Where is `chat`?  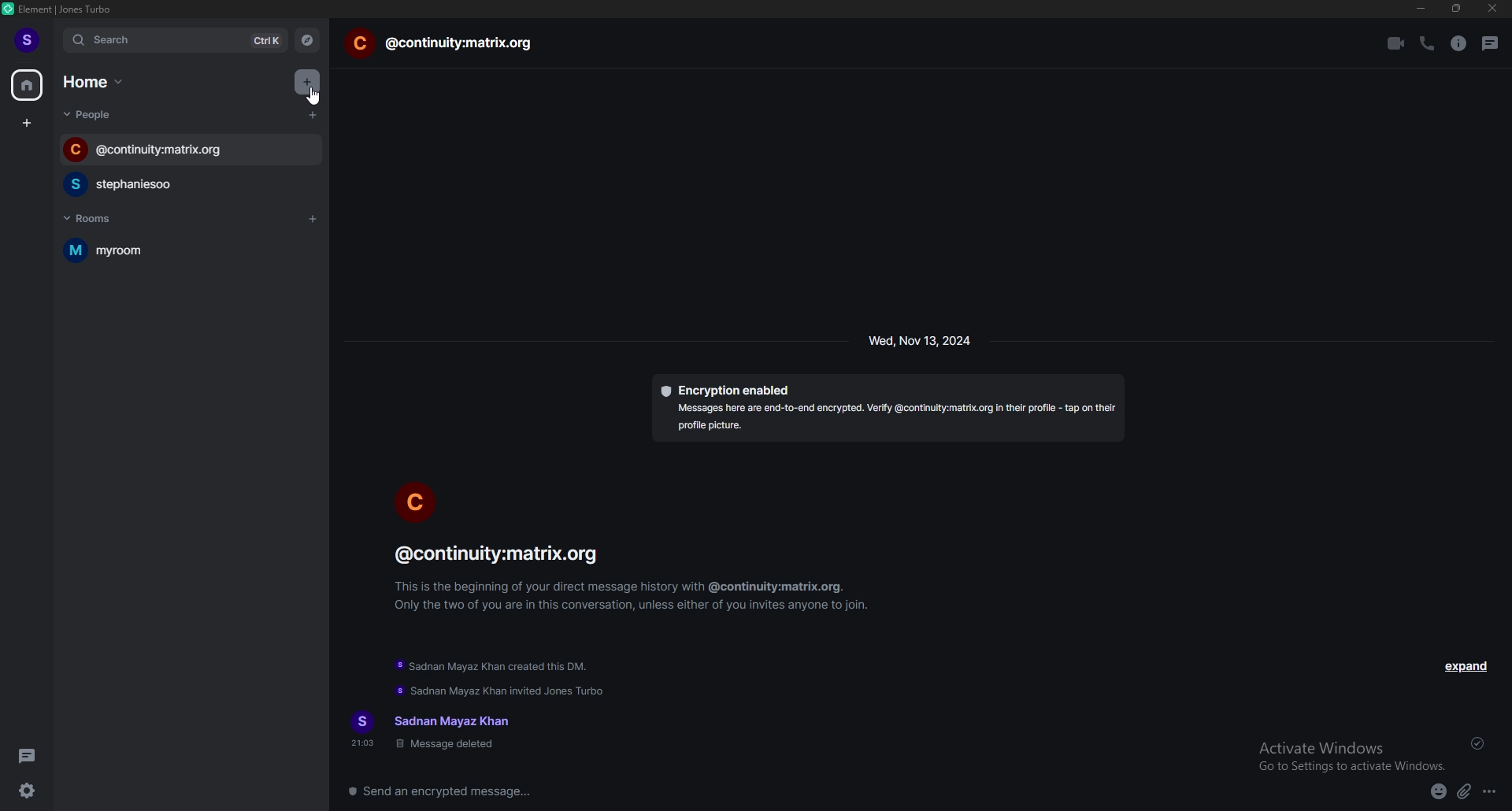 chat is located at coordinates (441, 44).